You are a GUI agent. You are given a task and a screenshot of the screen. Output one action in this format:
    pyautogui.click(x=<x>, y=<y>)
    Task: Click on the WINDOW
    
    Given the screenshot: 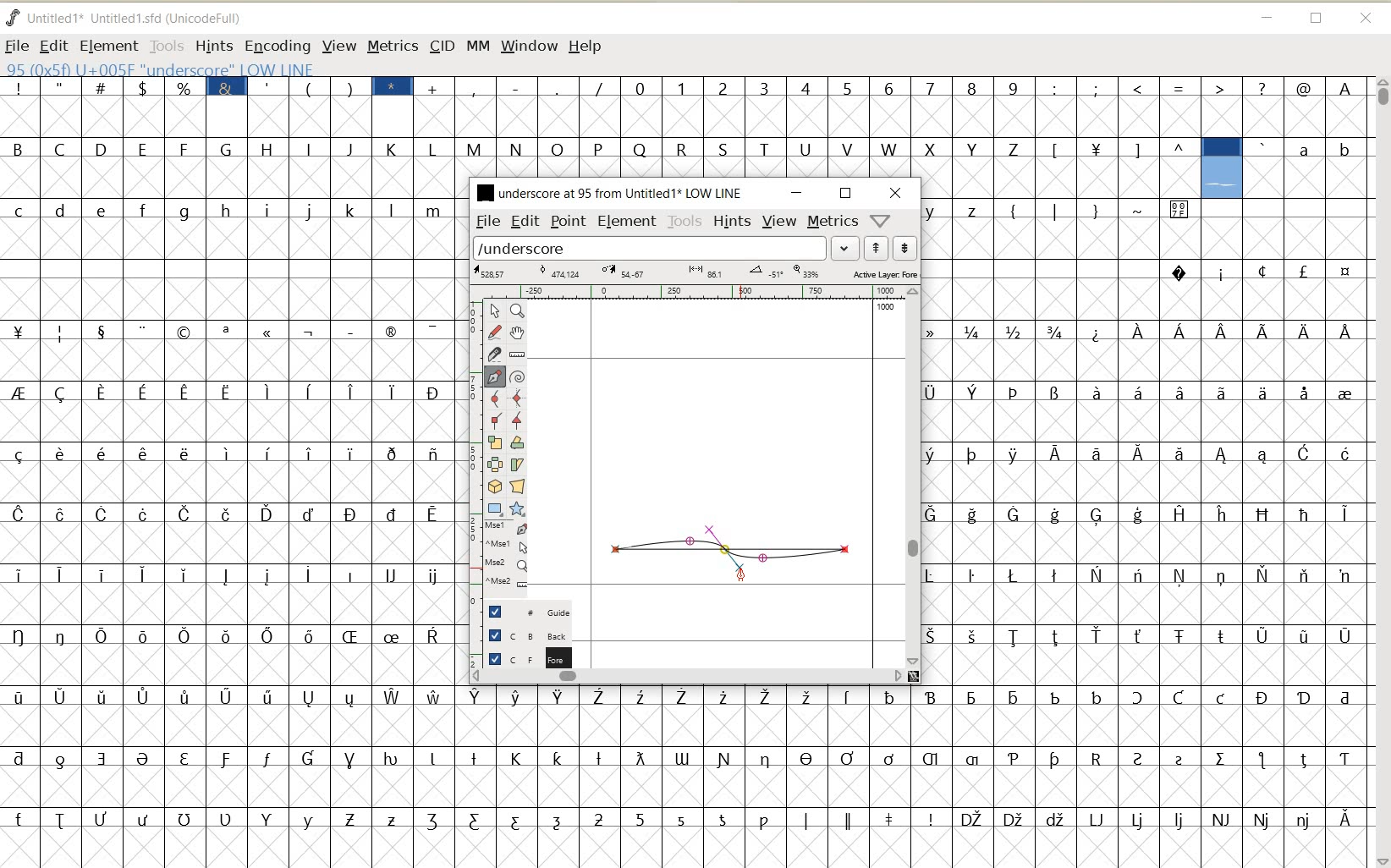 What is the action you would take?
    pyautogui.click(x=530, y=47)
    